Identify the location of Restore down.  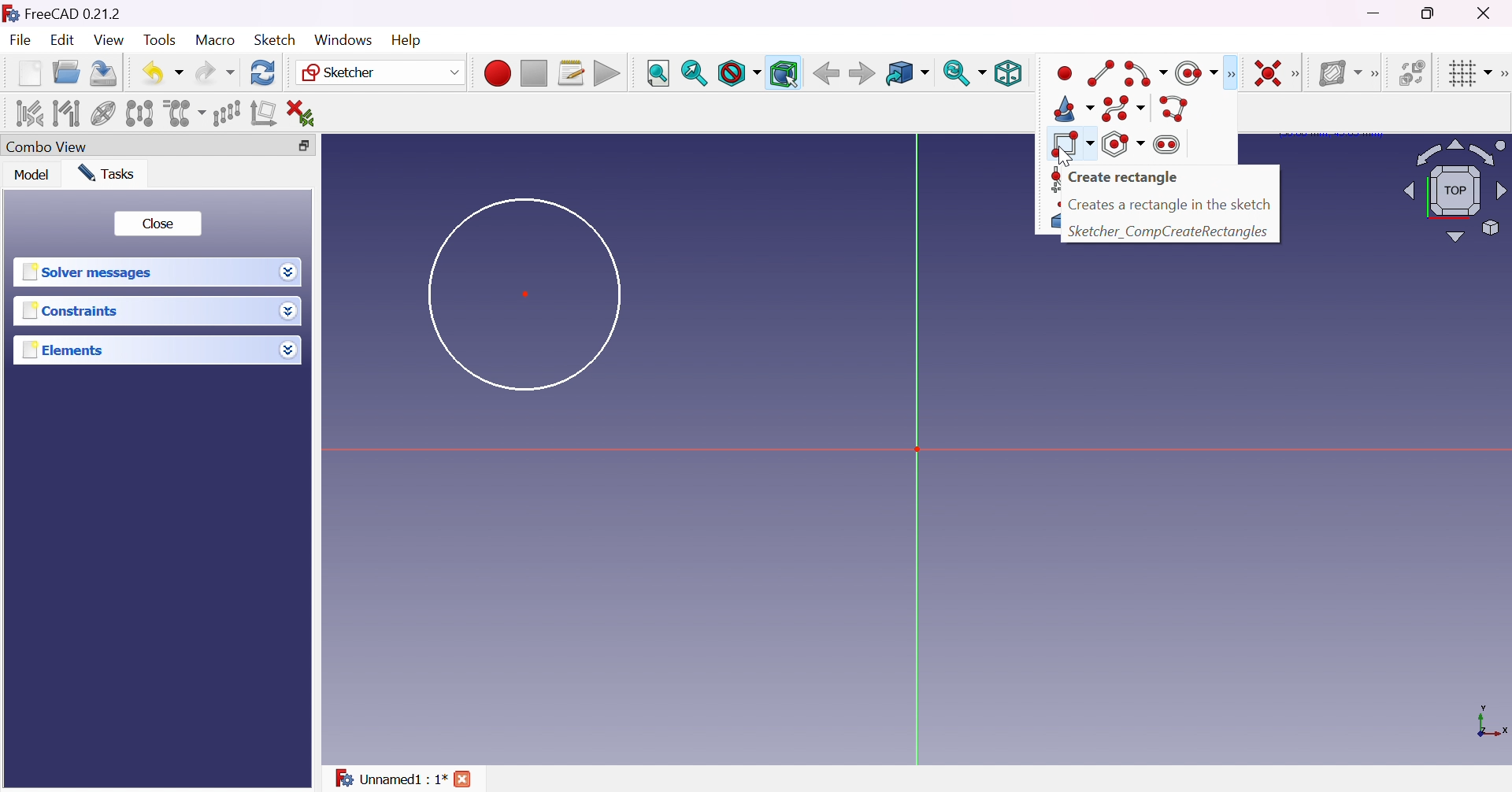
(299, 146).